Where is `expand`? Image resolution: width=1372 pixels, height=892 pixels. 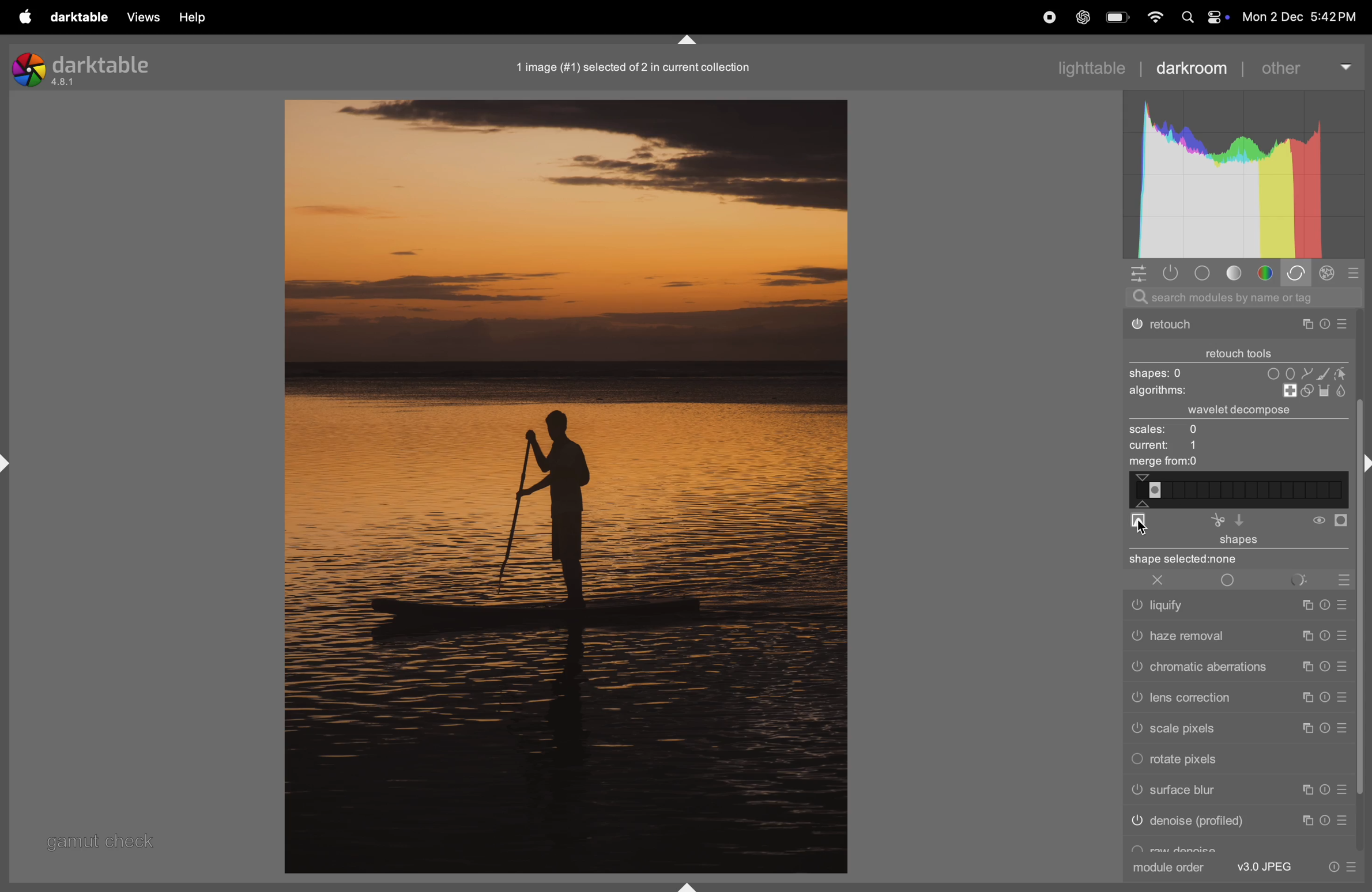
expand is located at coordinates (685, 883).